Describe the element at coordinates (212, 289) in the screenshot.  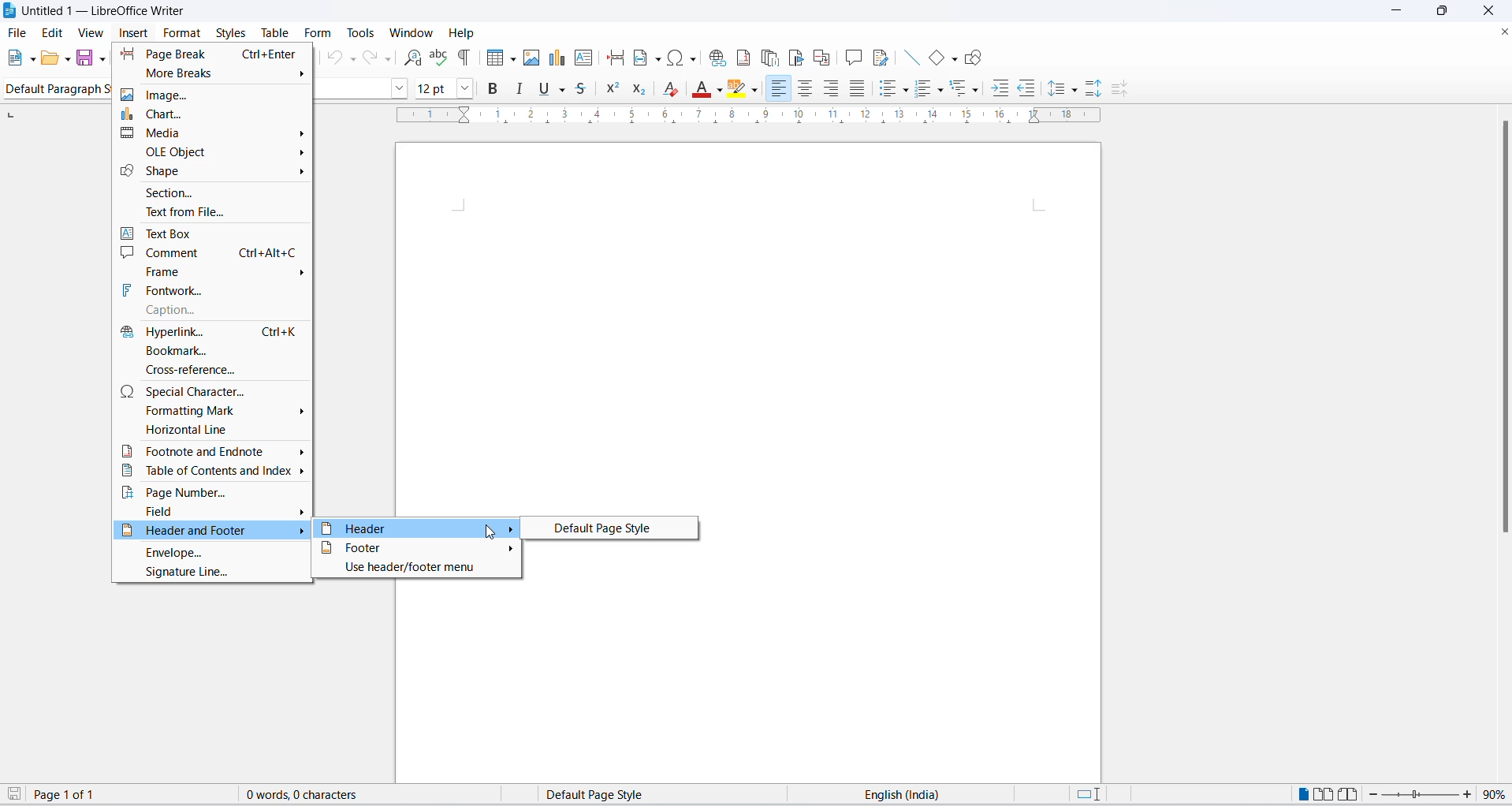
I see `fontwork` at that location.